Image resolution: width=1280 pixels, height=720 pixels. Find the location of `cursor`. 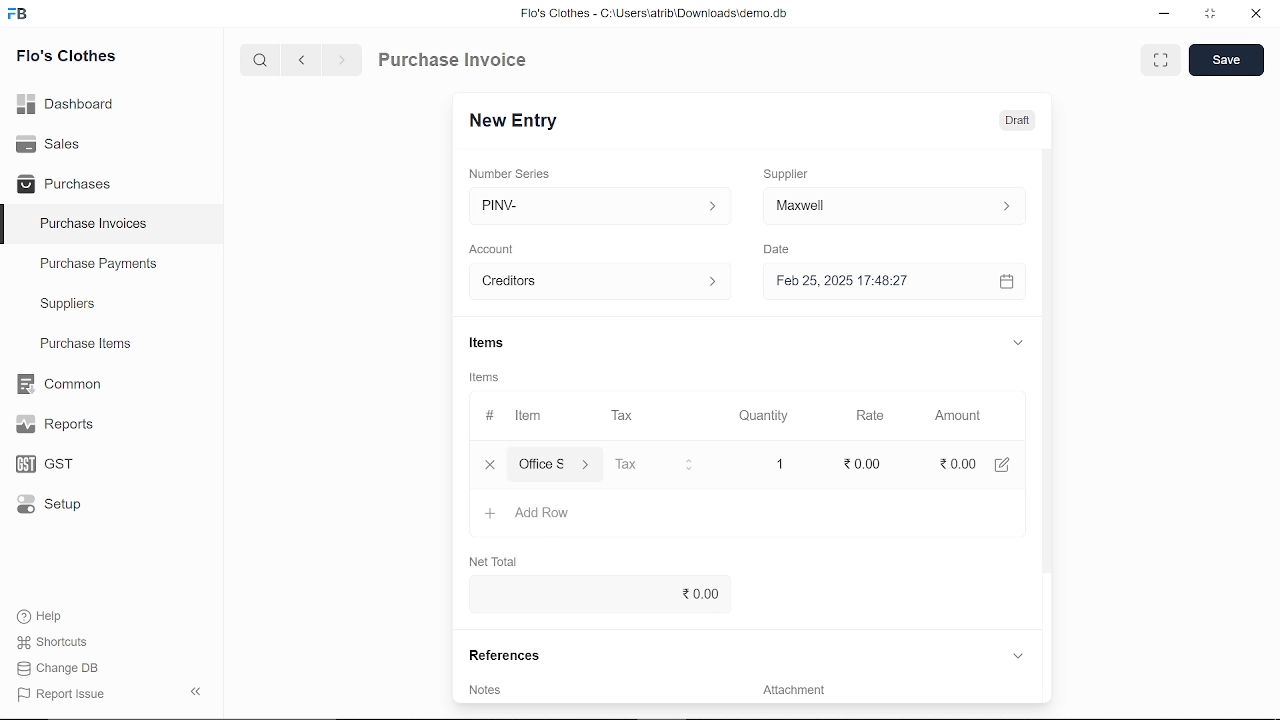

cursor is located at coordinates (871, 464).